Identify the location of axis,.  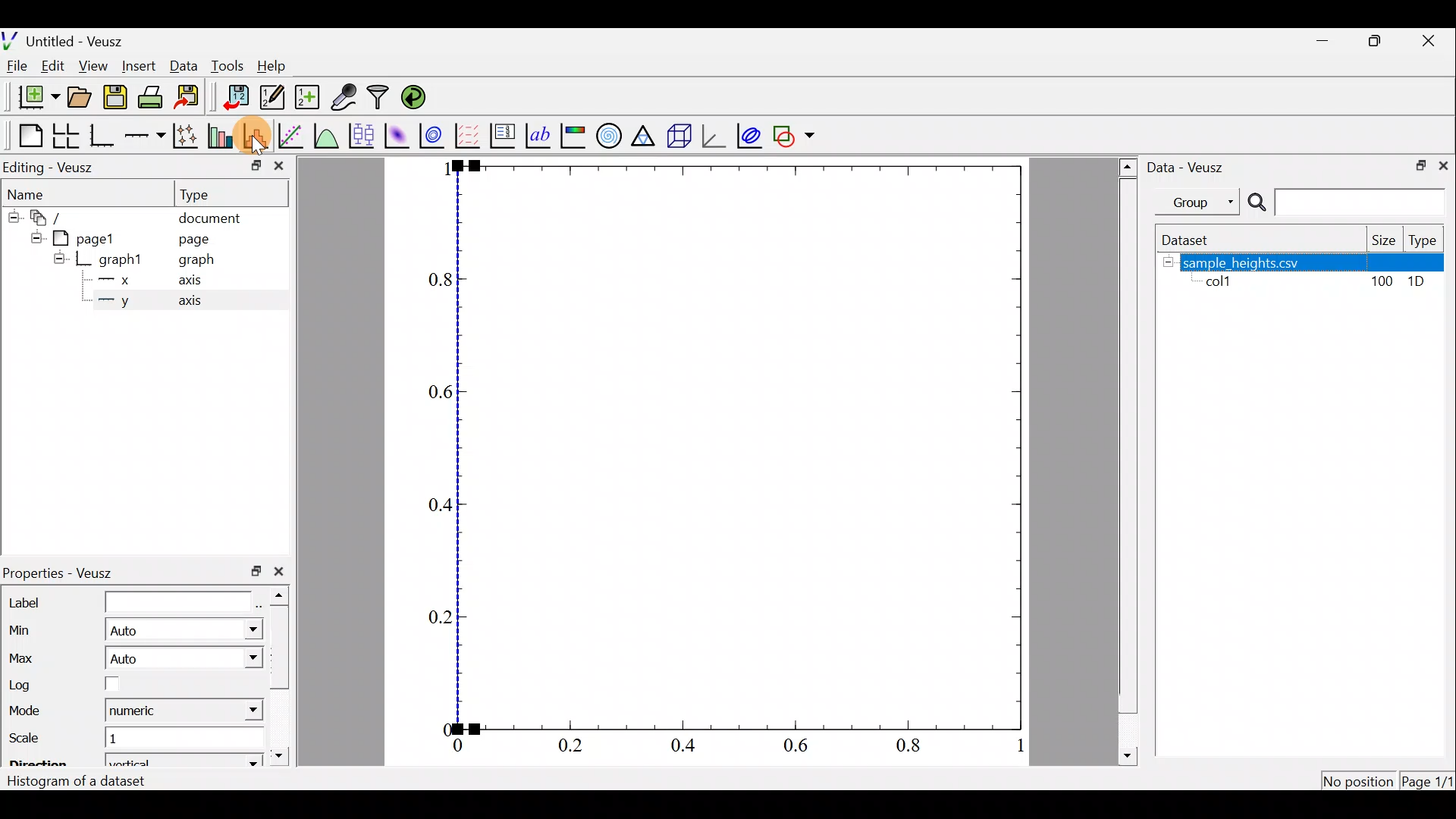
(190, 302).